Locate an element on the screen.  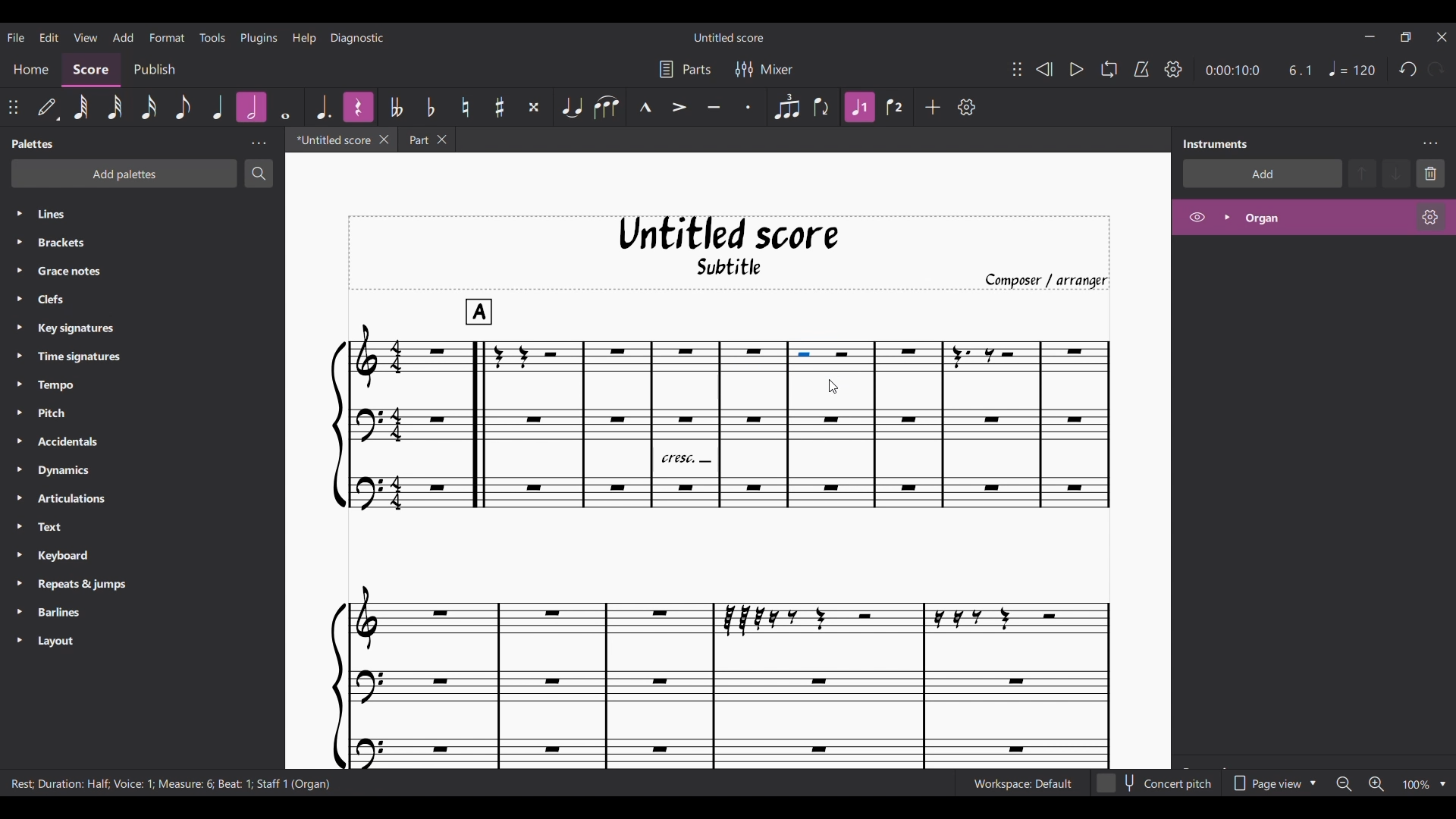
View menu is located at coordinates (86, 36).